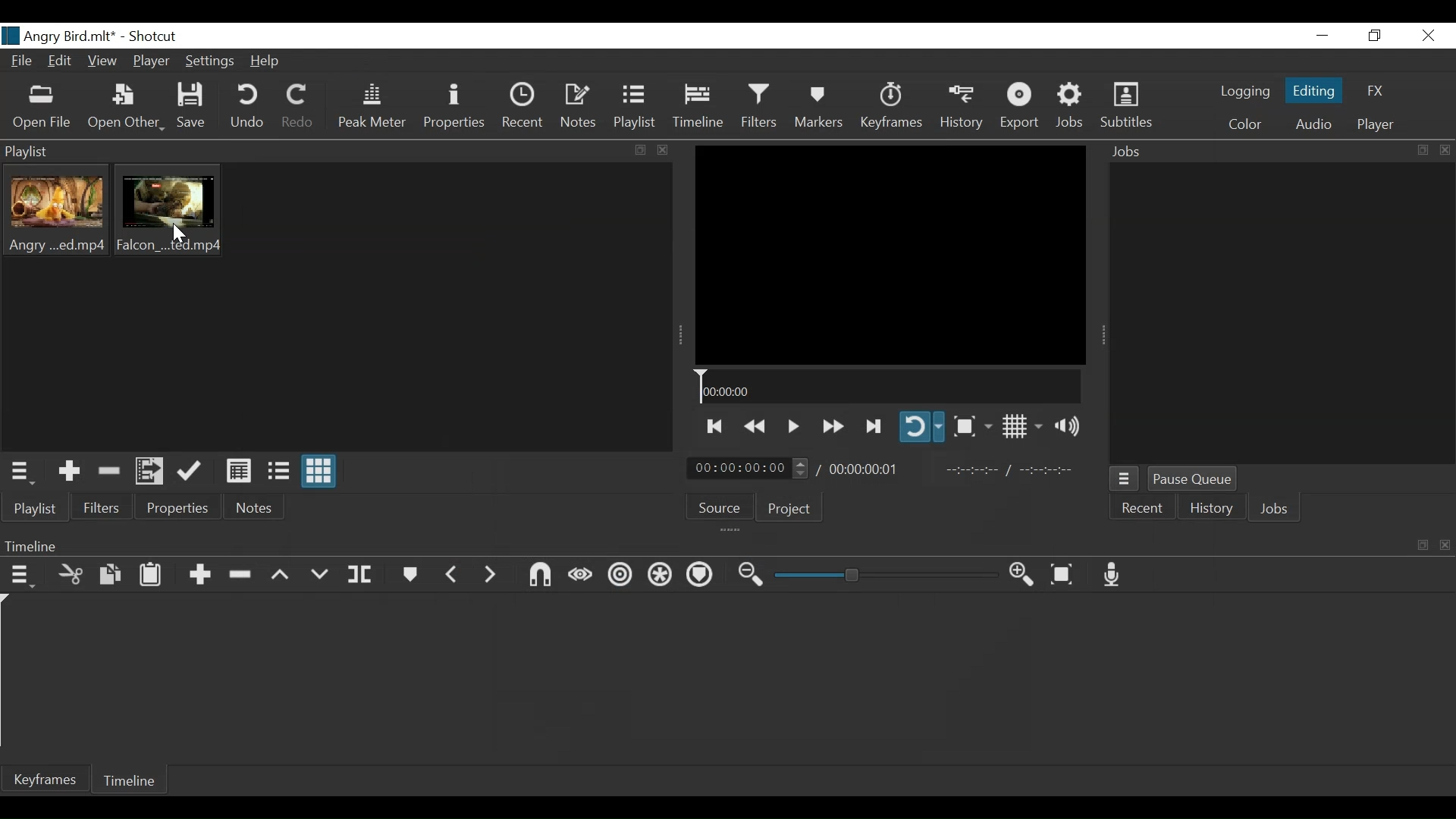 The width and height of the screenshot is (1456, 819). Describe the element at coordinates (24, 472) in the screenshot. I see `Playlist menu` at that location.